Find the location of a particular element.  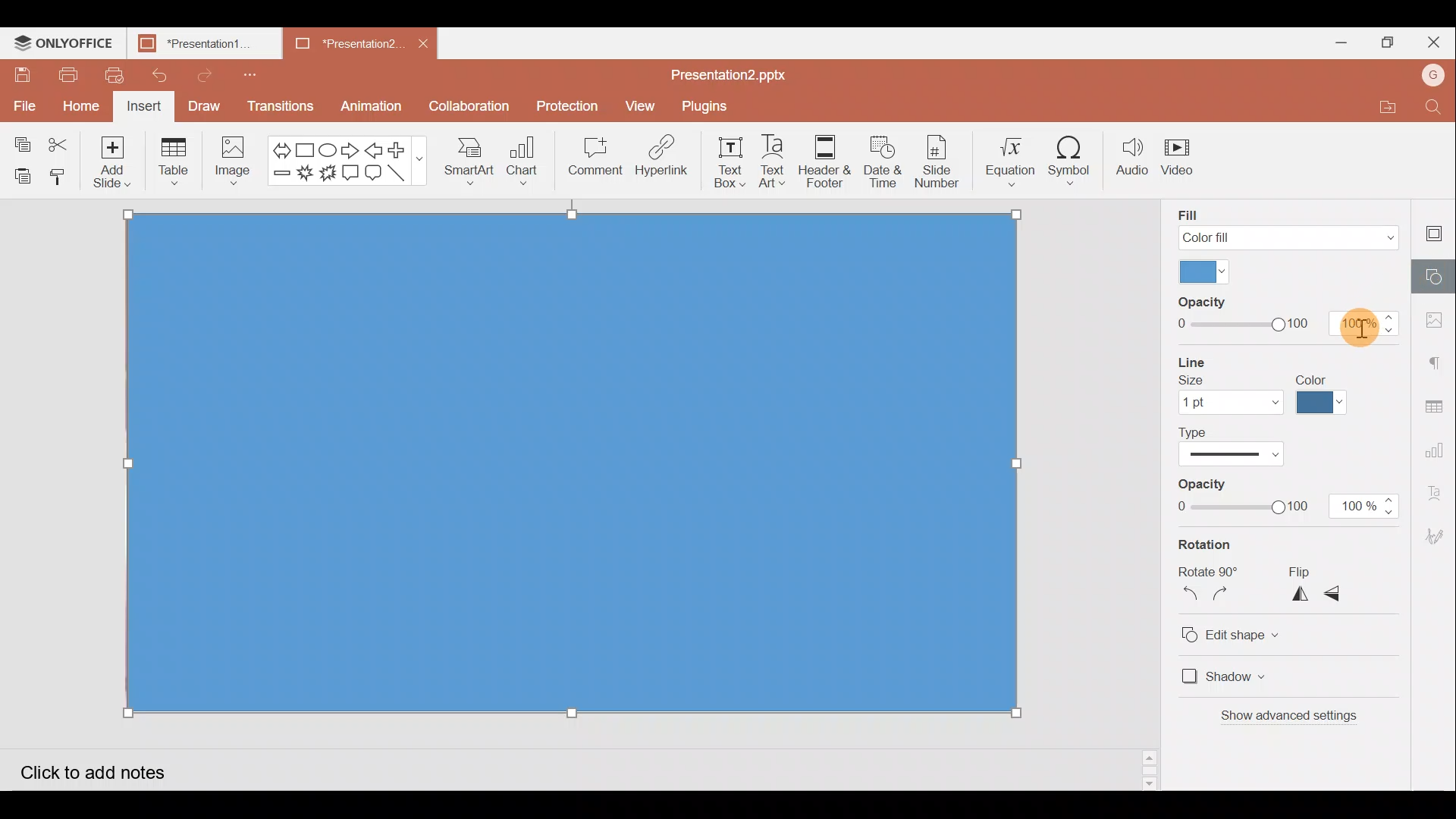

Rotate 90 degrees counterclockwise is located at coordinates (1189, 597).